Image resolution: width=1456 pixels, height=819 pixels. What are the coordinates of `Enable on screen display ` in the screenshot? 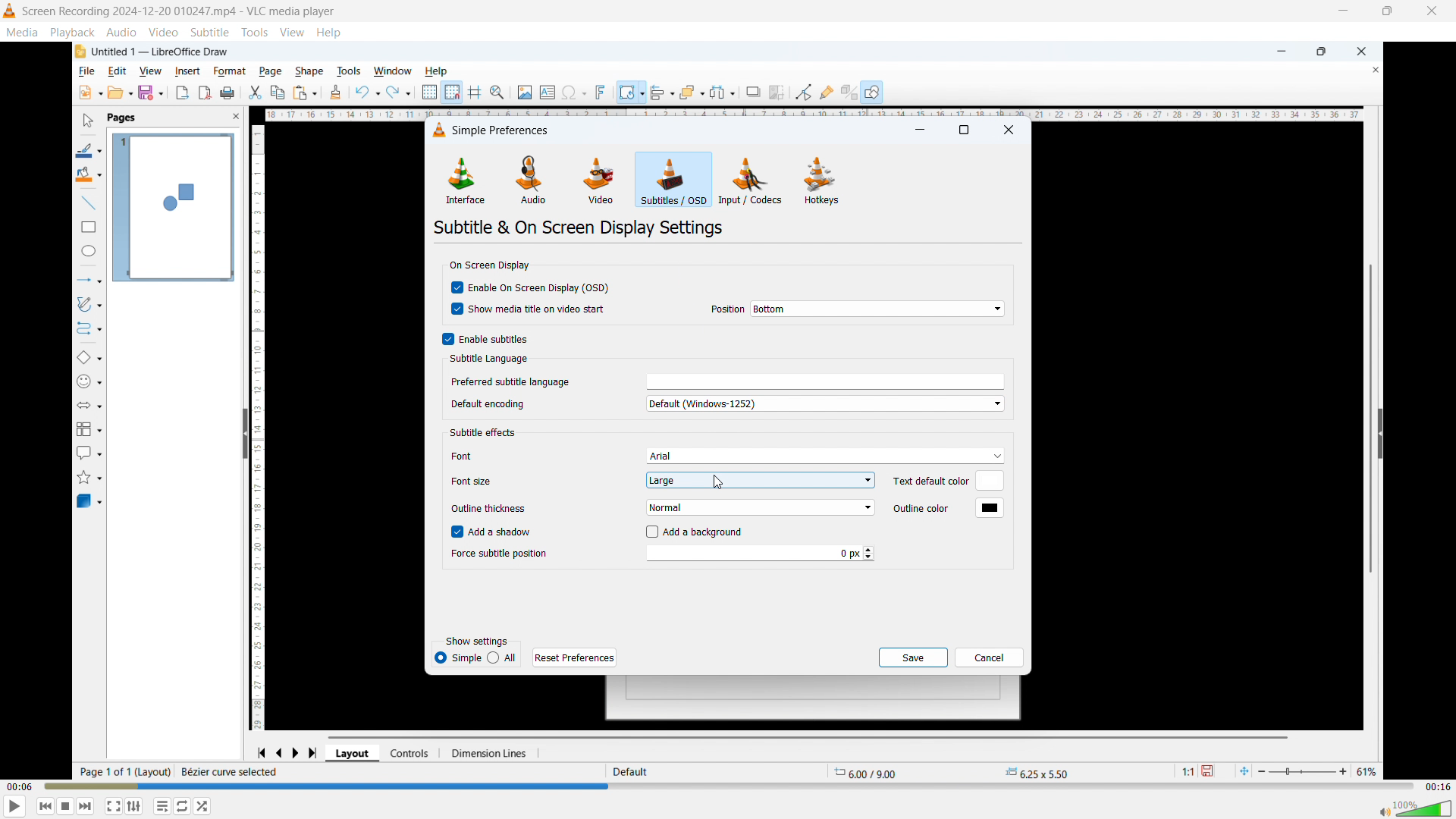 It's located at (529, 287).